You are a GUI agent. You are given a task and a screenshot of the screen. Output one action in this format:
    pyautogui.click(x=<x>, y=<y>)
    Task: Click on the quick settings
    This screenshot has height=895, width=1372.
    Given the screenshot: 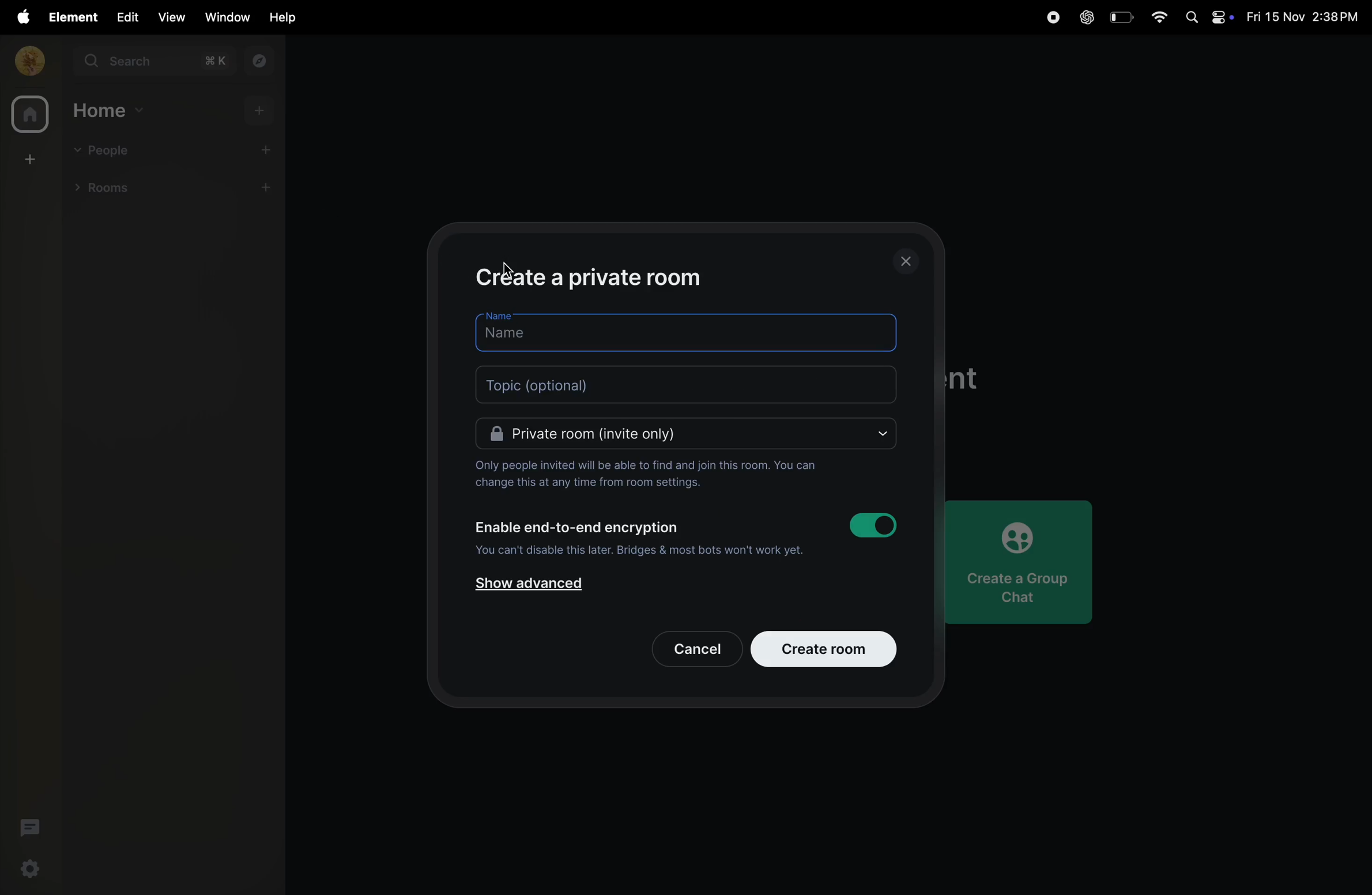 What is the action you would take?
    pyautogui.click(x=25, y=871)
    